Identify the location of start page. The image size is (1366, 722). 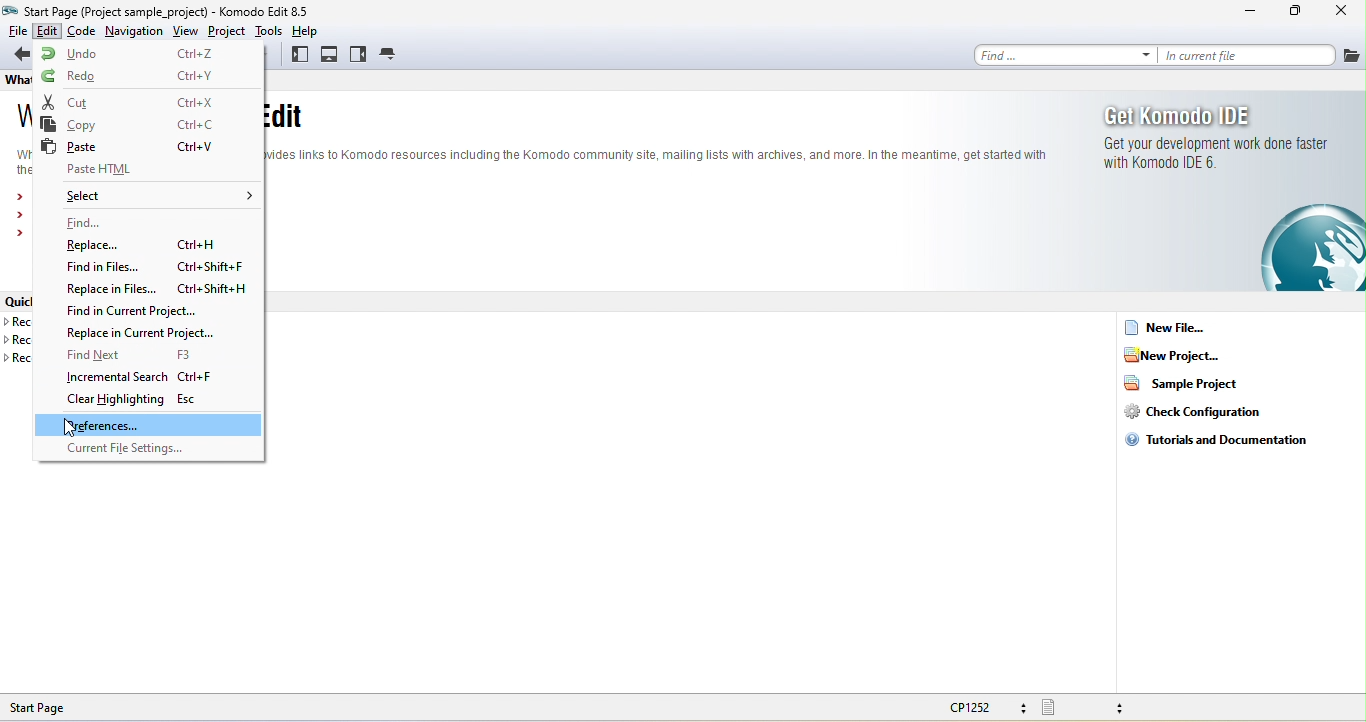
(36, 708).